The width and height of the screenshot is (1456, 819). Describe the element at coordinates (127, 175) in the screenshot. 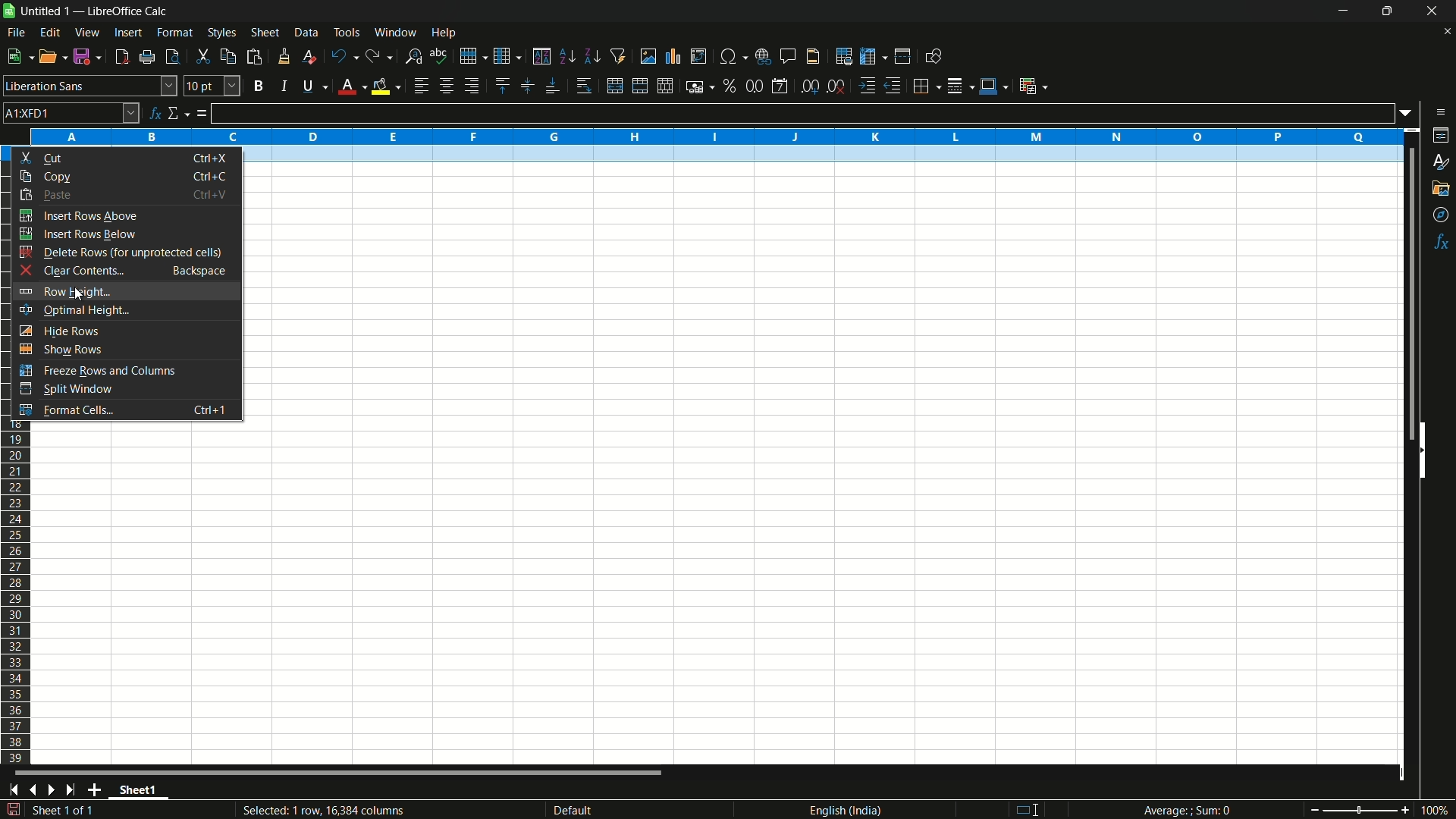

I see `copy` at that location.